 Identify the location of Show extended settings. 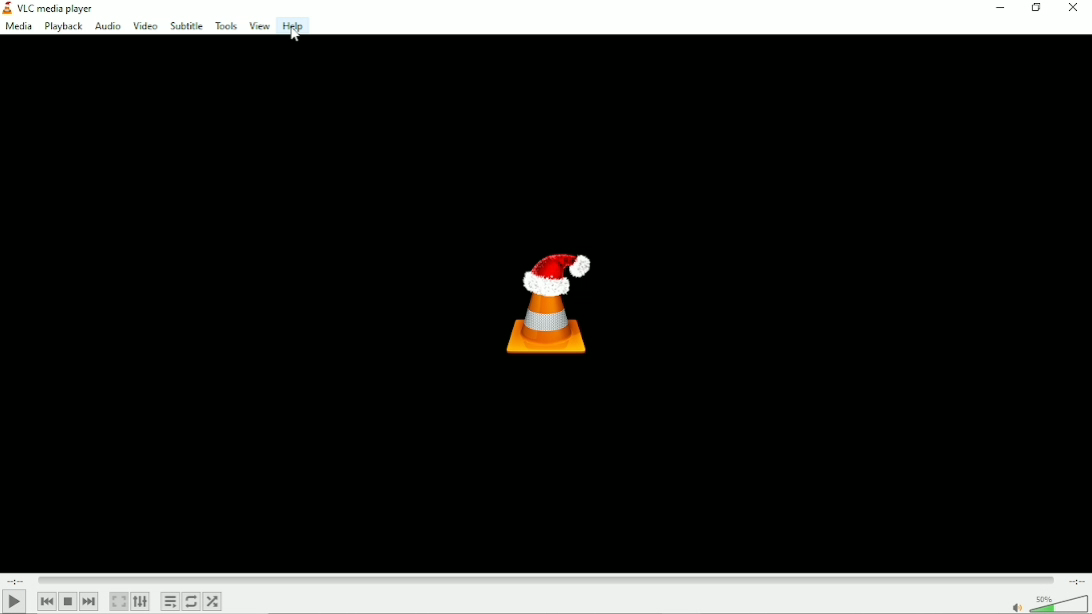
(141, 601).